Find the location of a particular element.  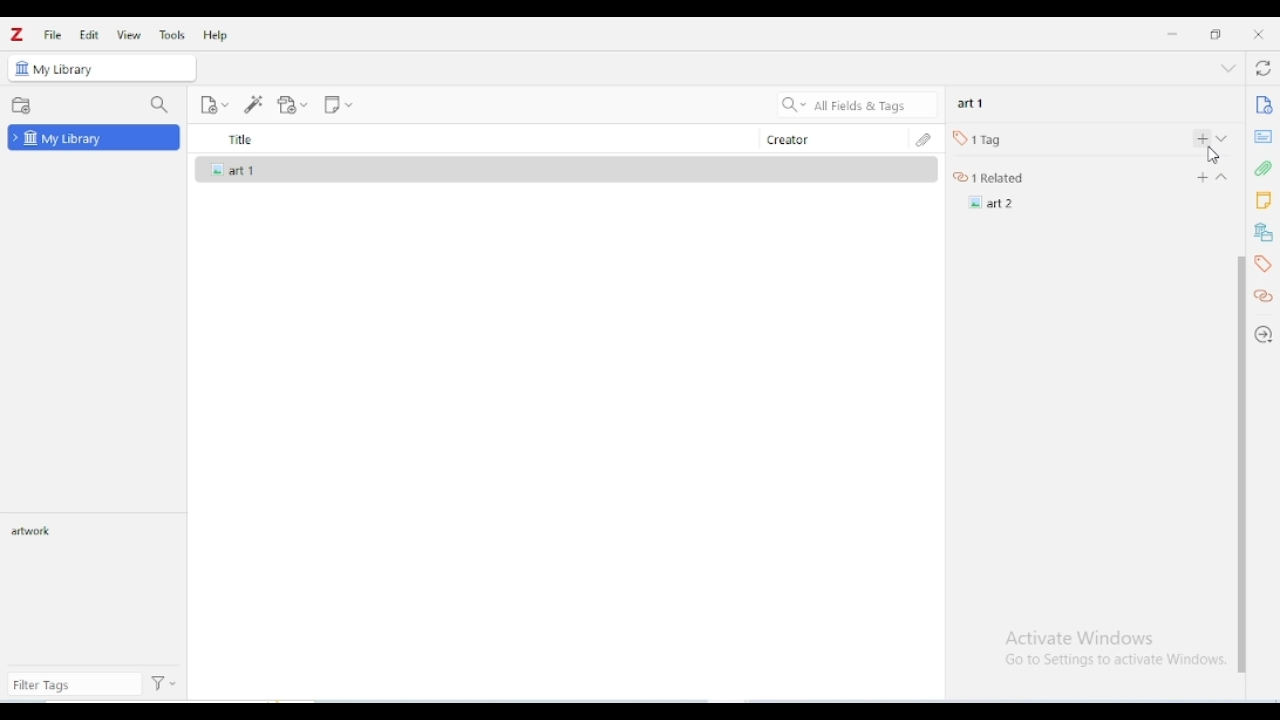

add is located at coordinates (1198, 143).